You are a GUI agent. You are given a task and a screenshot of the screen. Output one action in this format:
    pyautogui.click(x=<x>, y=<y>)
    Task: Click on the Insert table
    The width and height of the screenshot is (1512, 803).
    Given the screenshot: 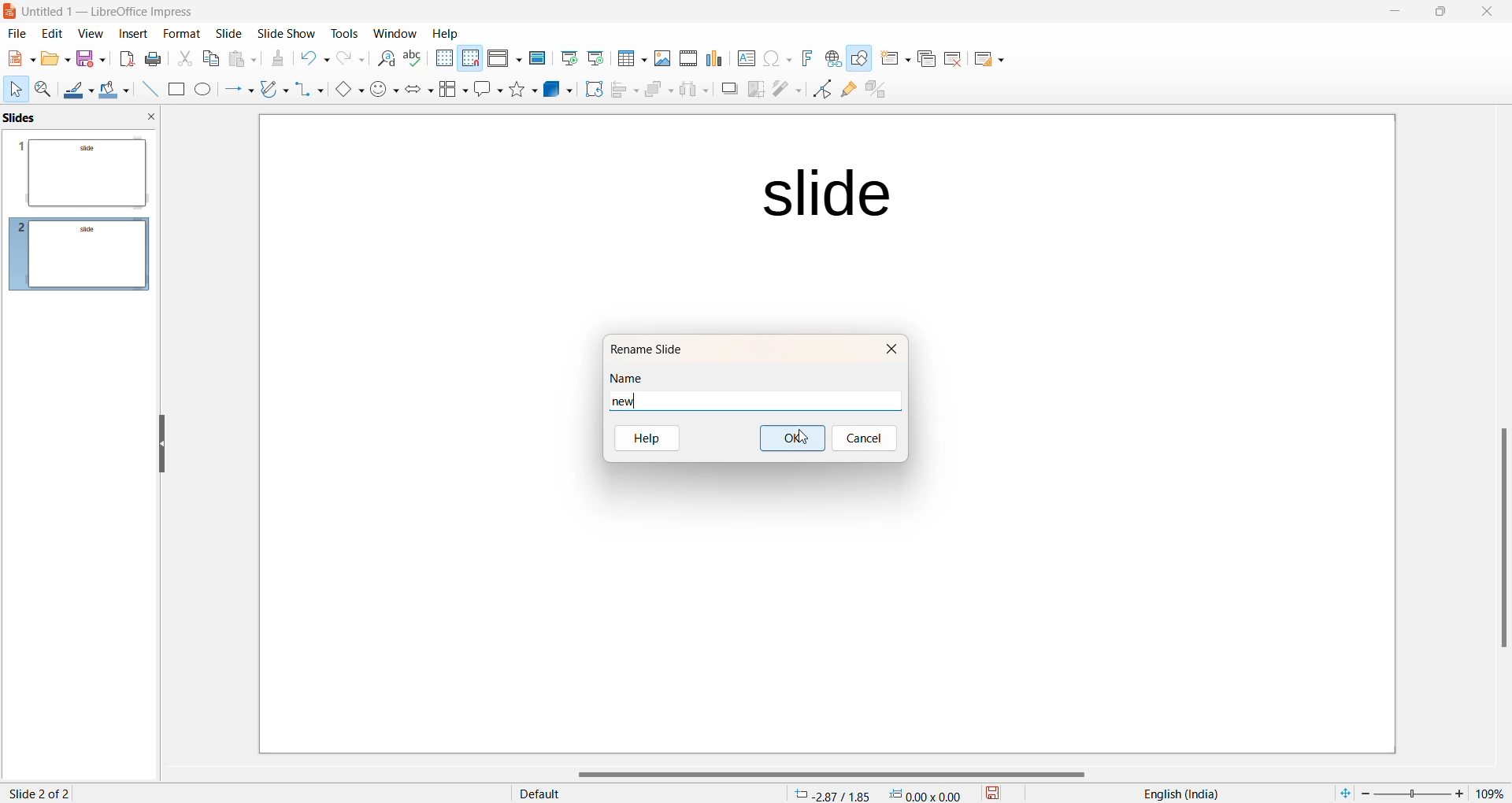 What is the action you would take?
    pyautogui.click(x=630, y=58)
    